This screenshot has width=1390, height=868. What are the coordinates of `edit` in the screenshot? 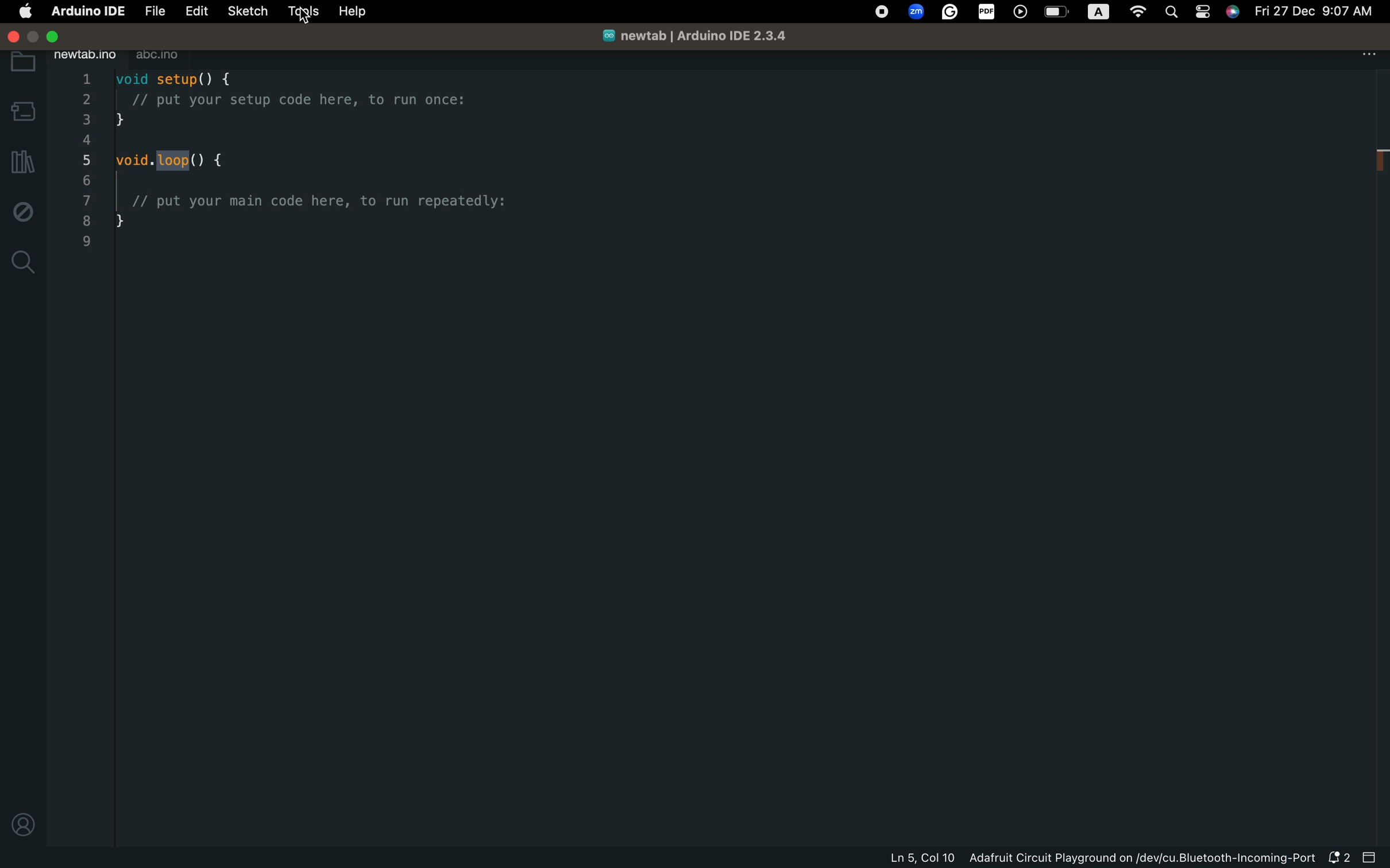 It's located at (198, 11).